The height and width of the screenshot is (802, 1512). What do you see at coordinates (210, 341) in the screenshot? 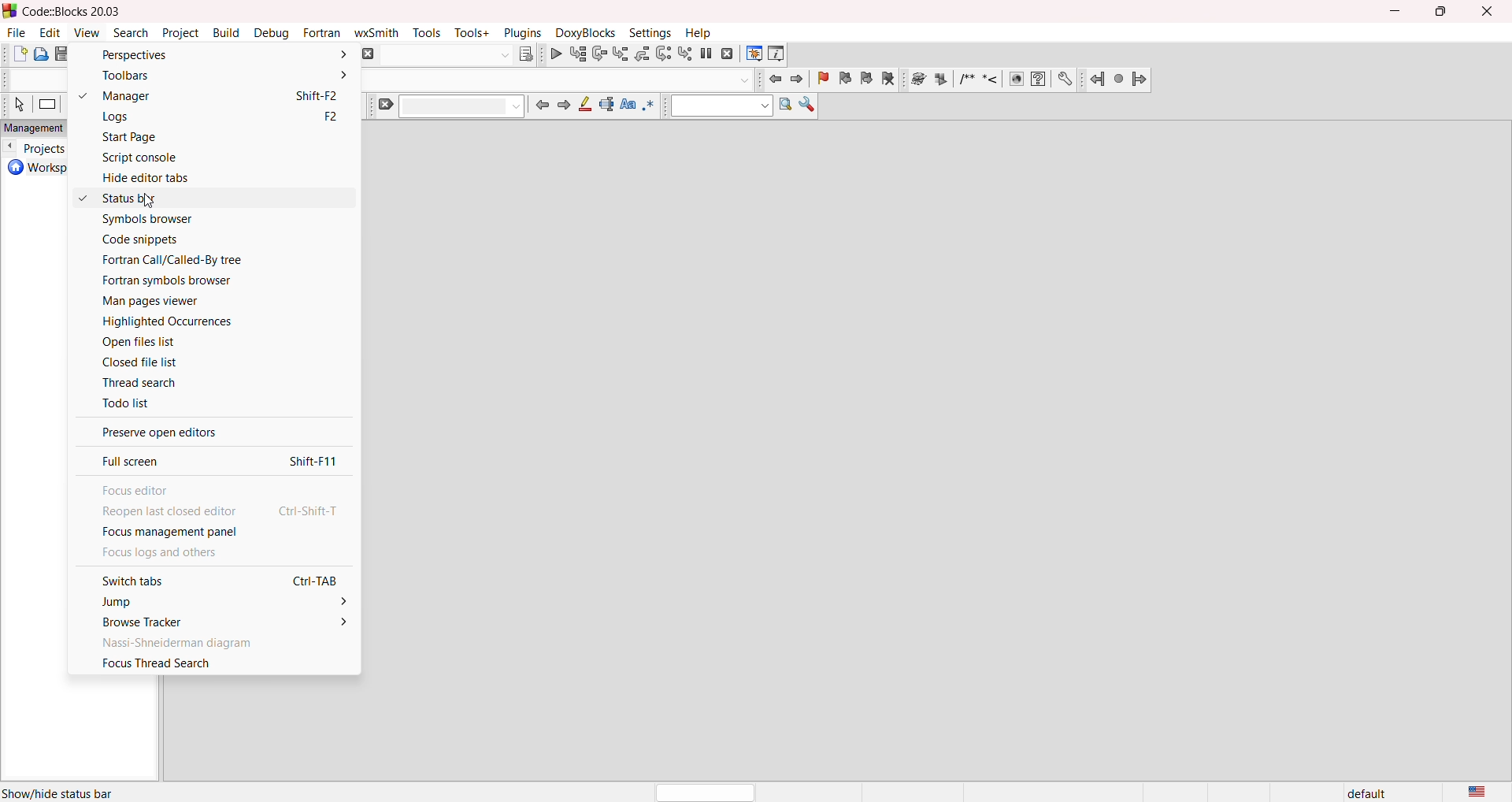
I see `open files list` at bounding box center [210, 341].